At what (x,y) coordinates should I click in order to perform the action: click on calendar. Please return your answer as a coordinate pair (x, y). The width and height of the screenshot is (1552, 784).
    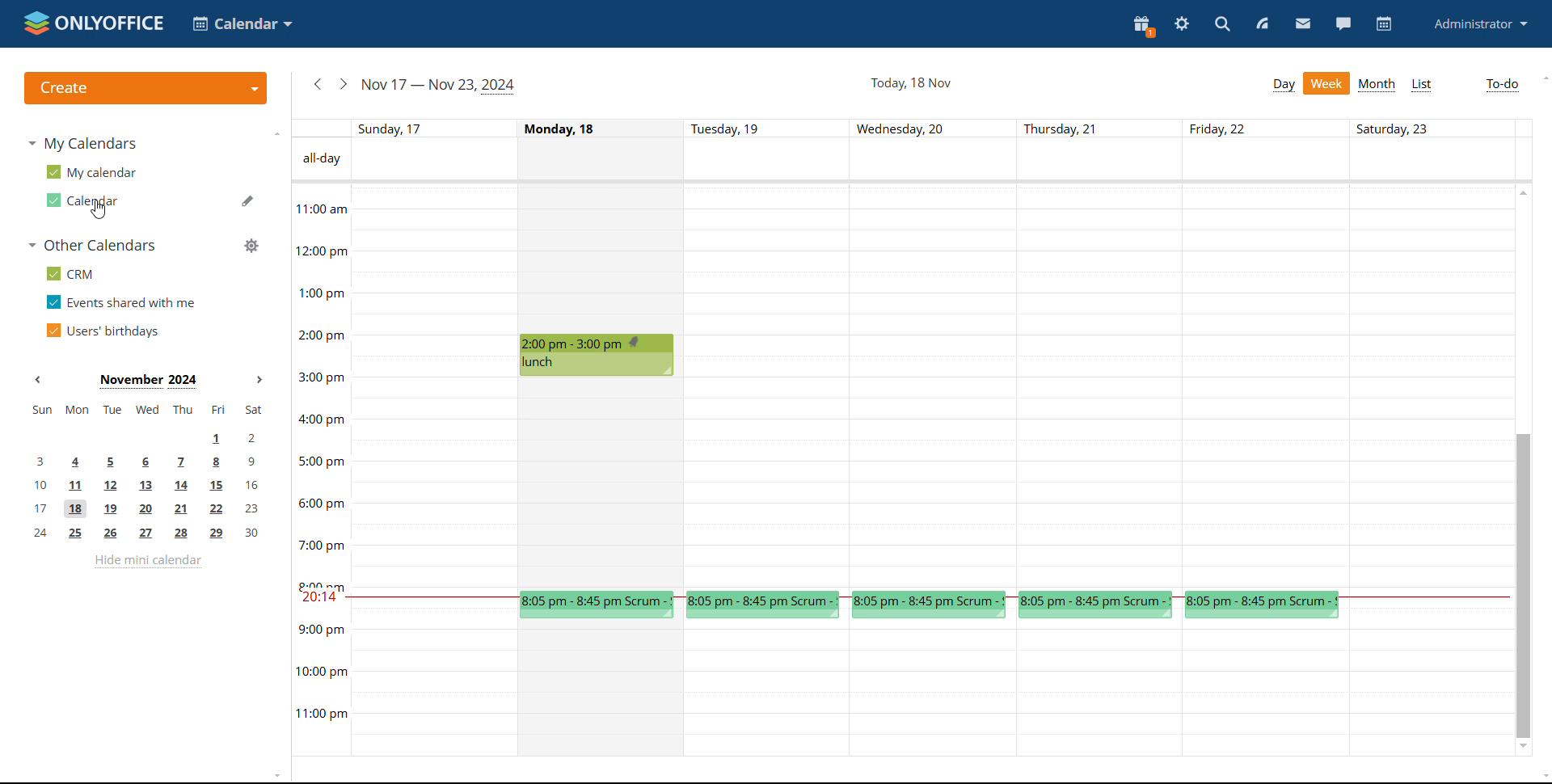
    Looking at the image, I should click on (1385, 24).